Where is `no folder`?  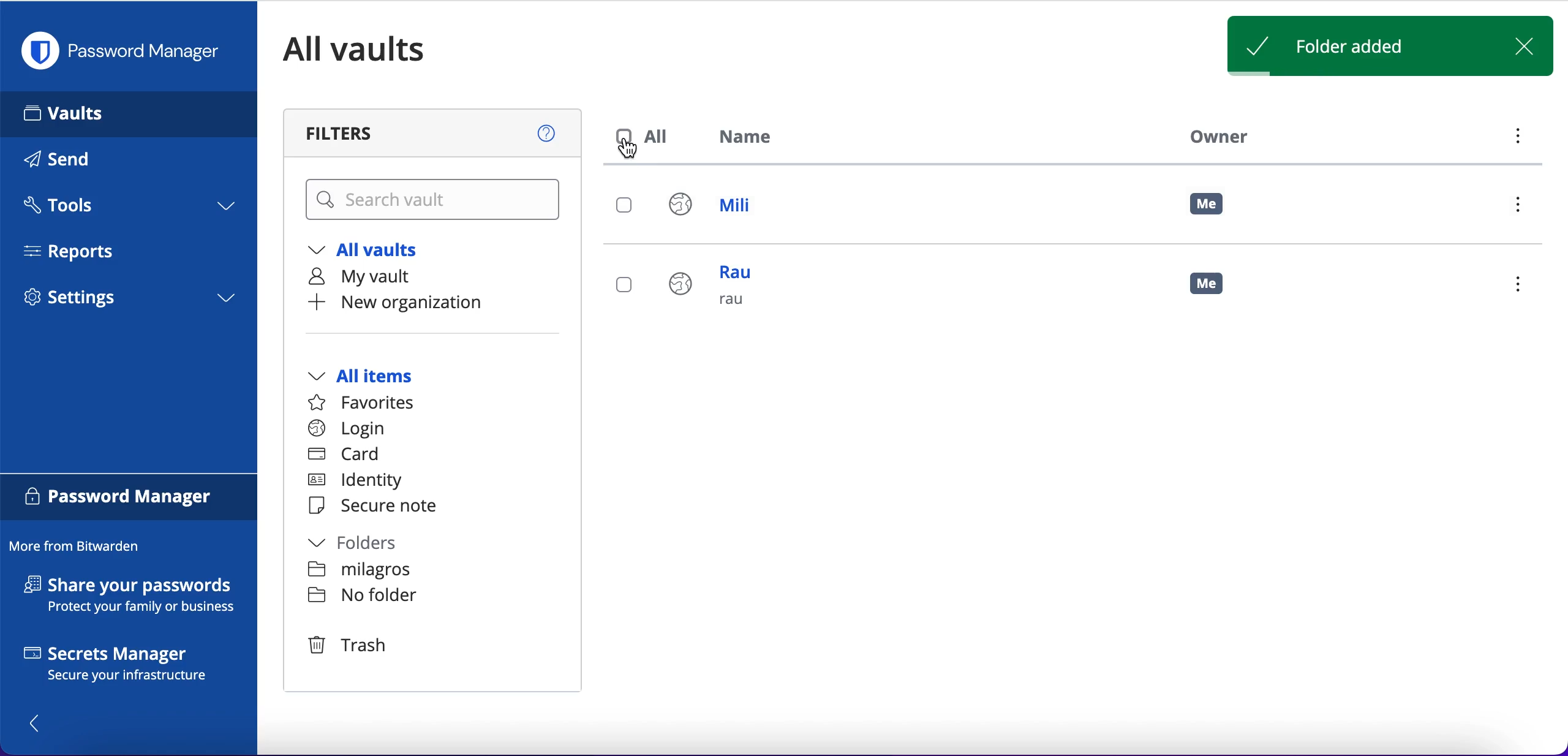
no folder is located at coordinates (361, 572).